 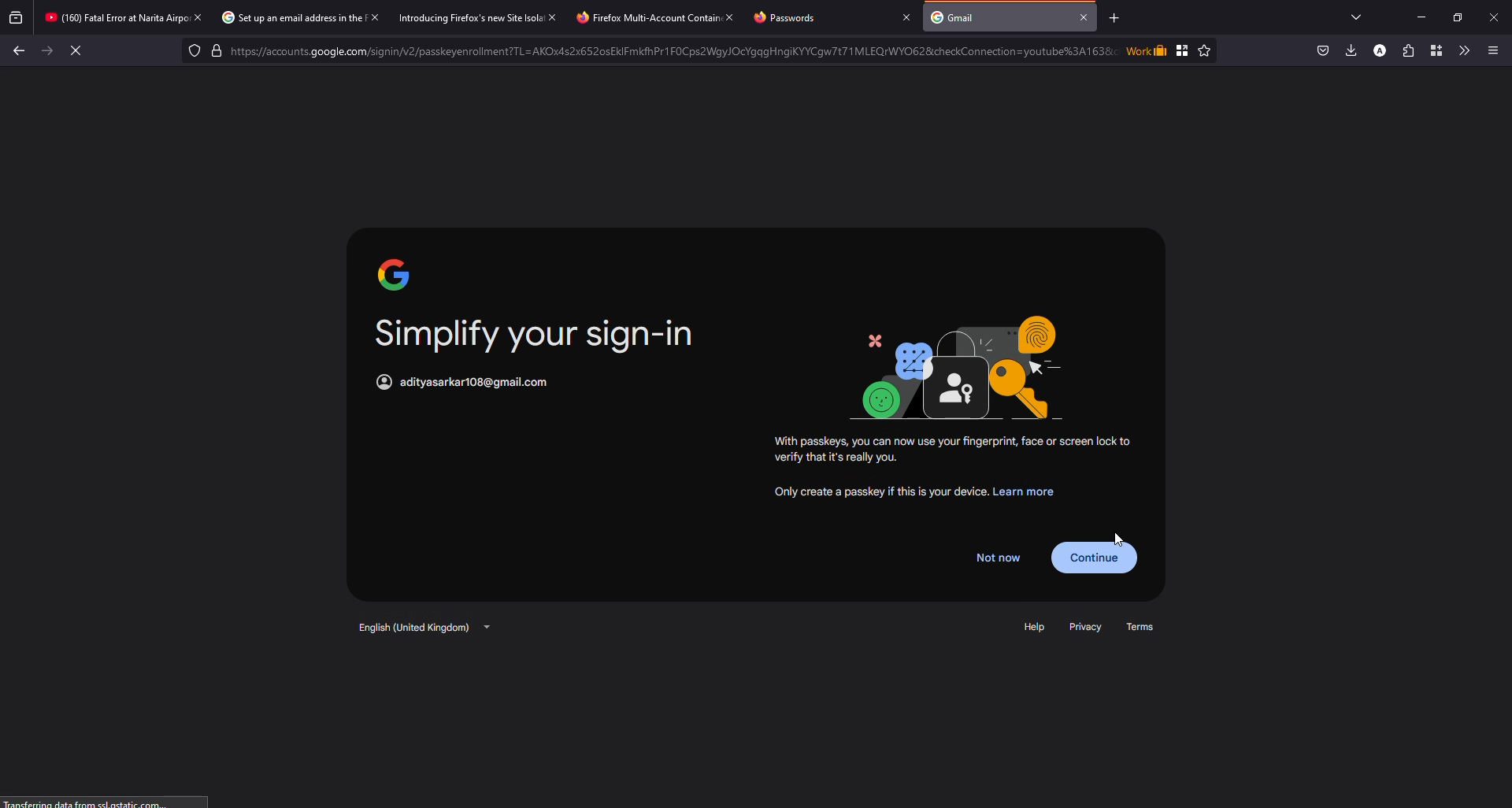 What do you see at coordinates (1378, 50) in the screenshot?
I see `profile` at bounding box center [1378, 50].